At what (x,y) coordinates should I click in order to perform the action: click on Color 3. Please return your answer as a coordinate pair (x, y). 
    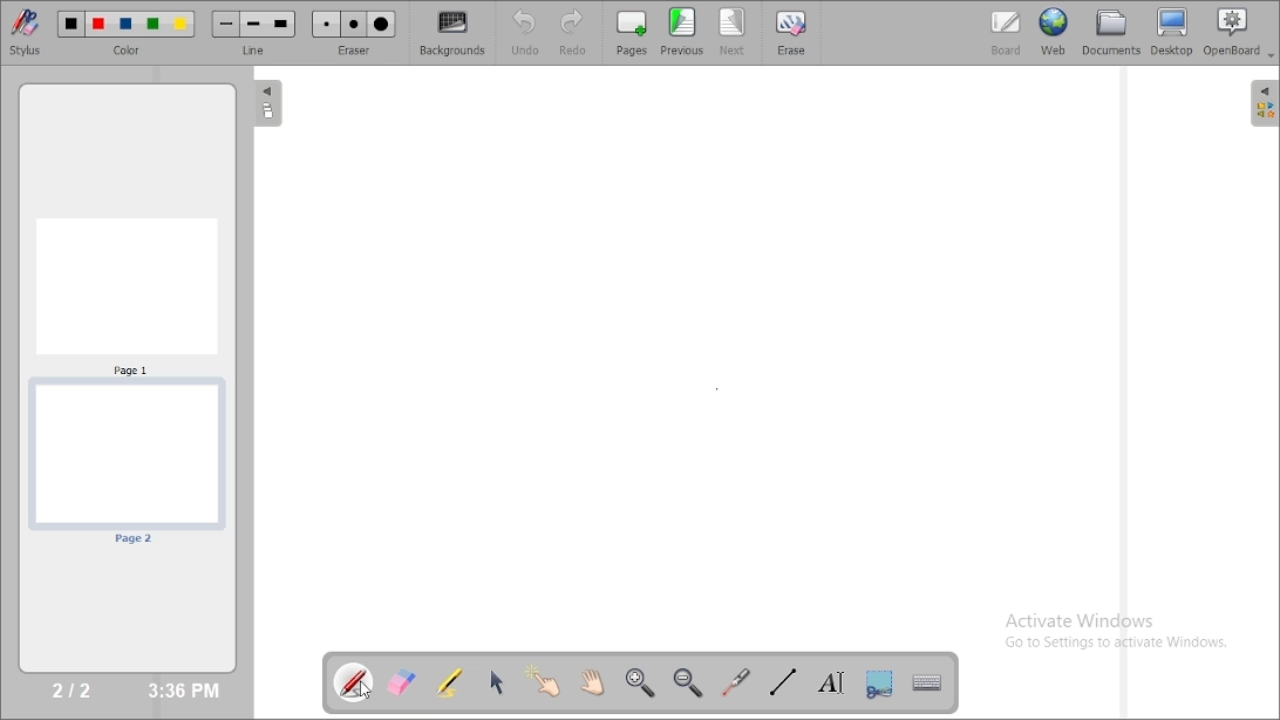
    Looking at the image, I should click on (126, 25).